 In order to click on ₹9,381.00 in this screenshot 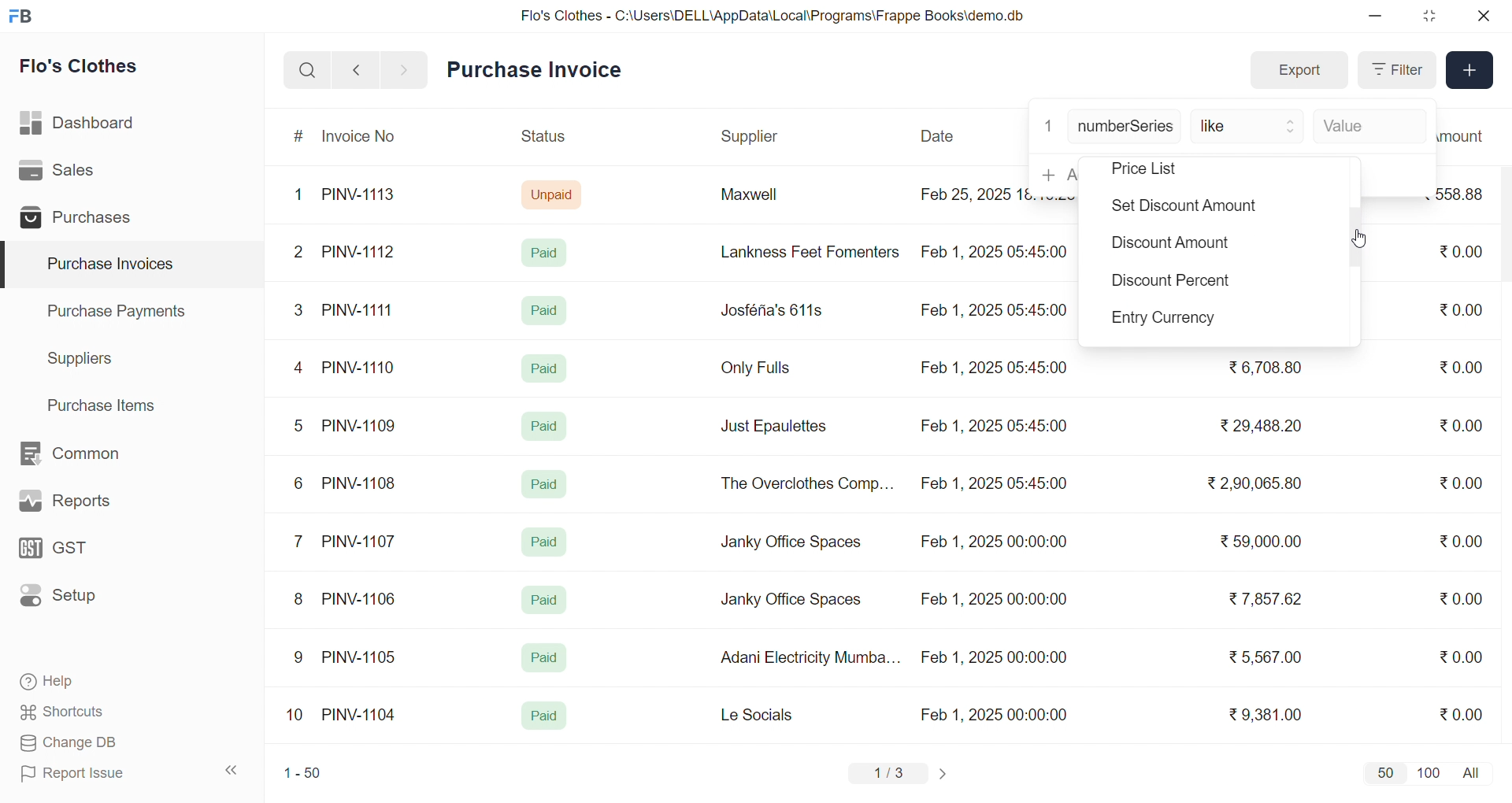, I will do `click(1266, 715)`.